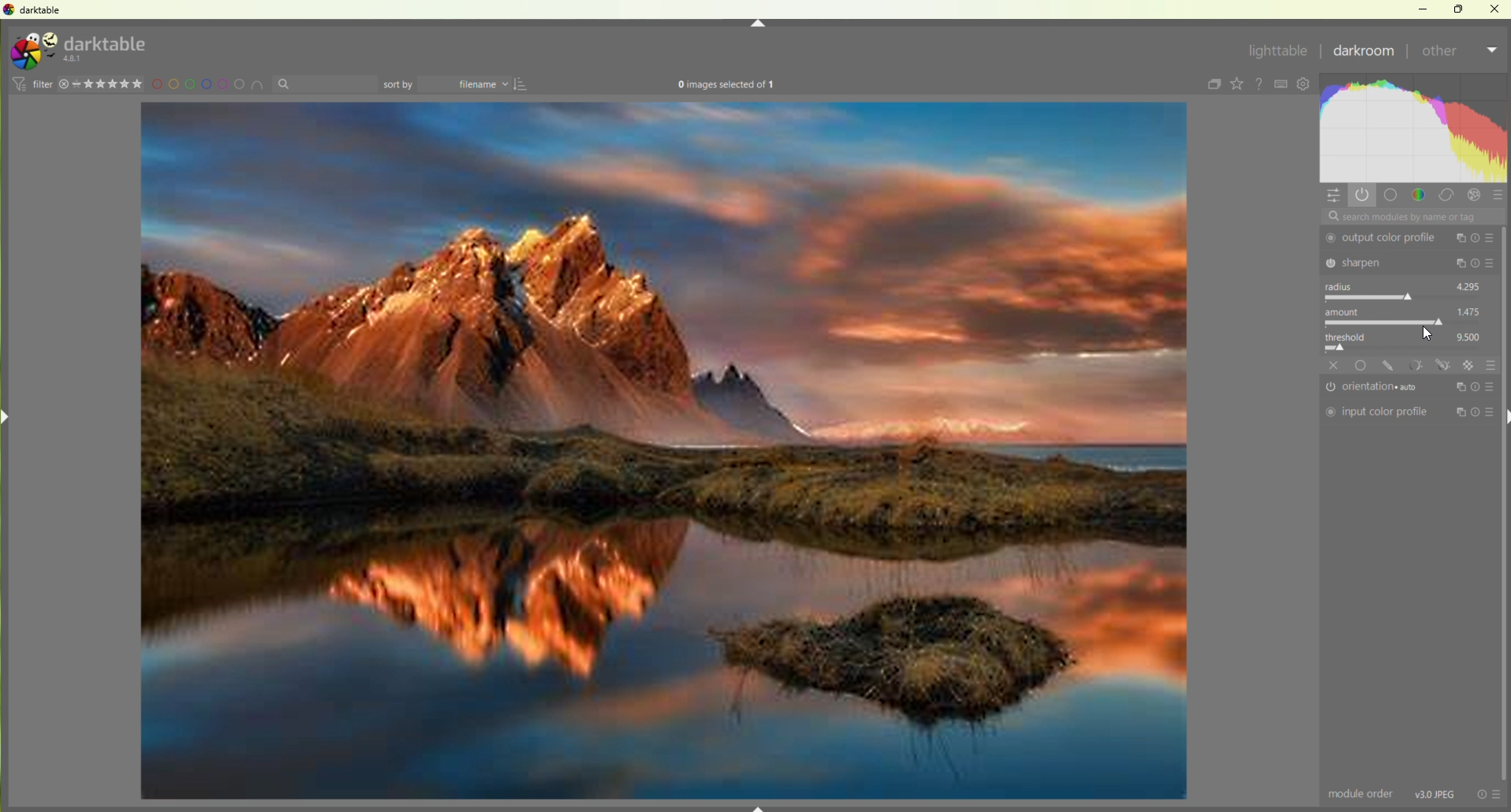 This screenshot has width=1511, height=812. Describe the element at coordinates (1470, 335) in the screenshot. I see `value` at that location.